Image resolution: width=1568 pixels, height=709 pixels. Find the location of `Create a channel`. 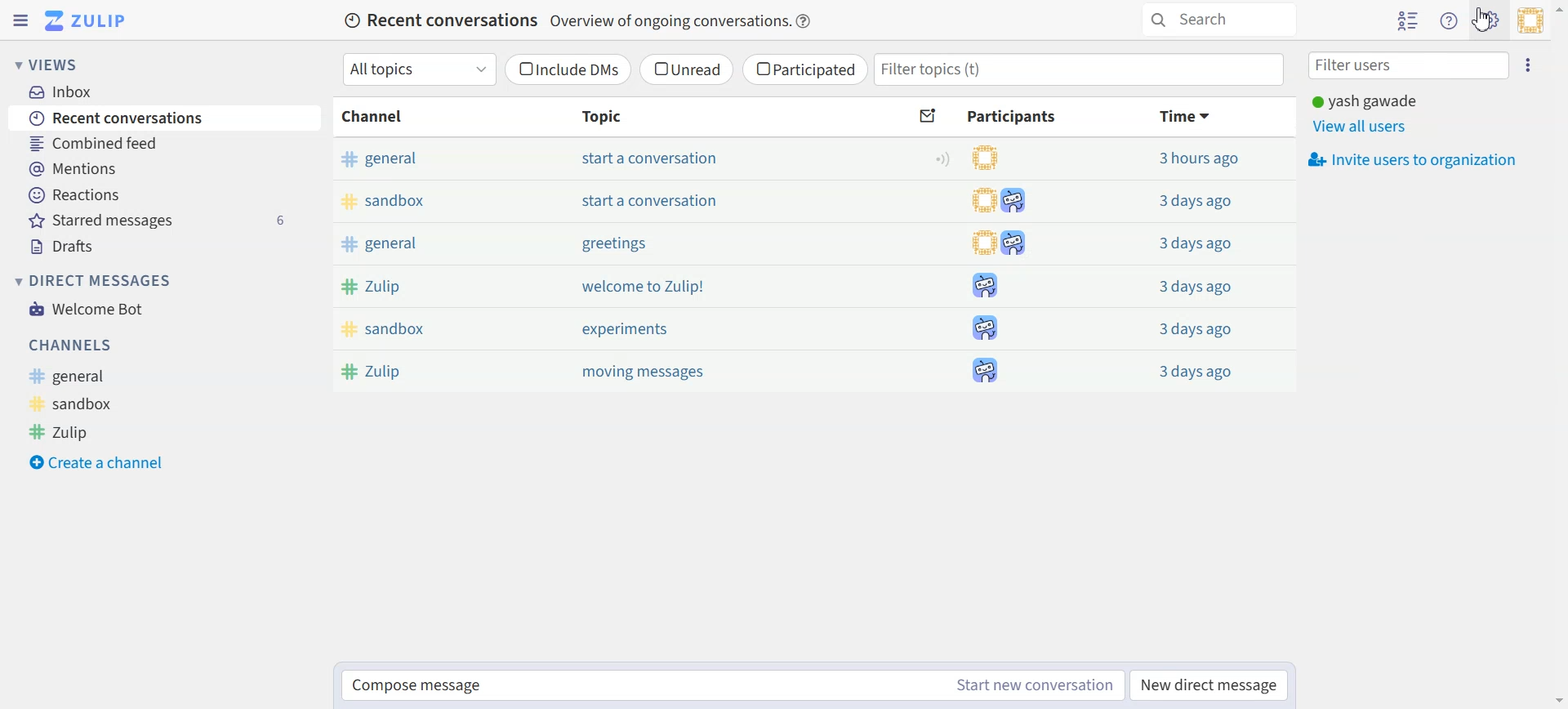

Create a channel is located at coordinates (96, 463).